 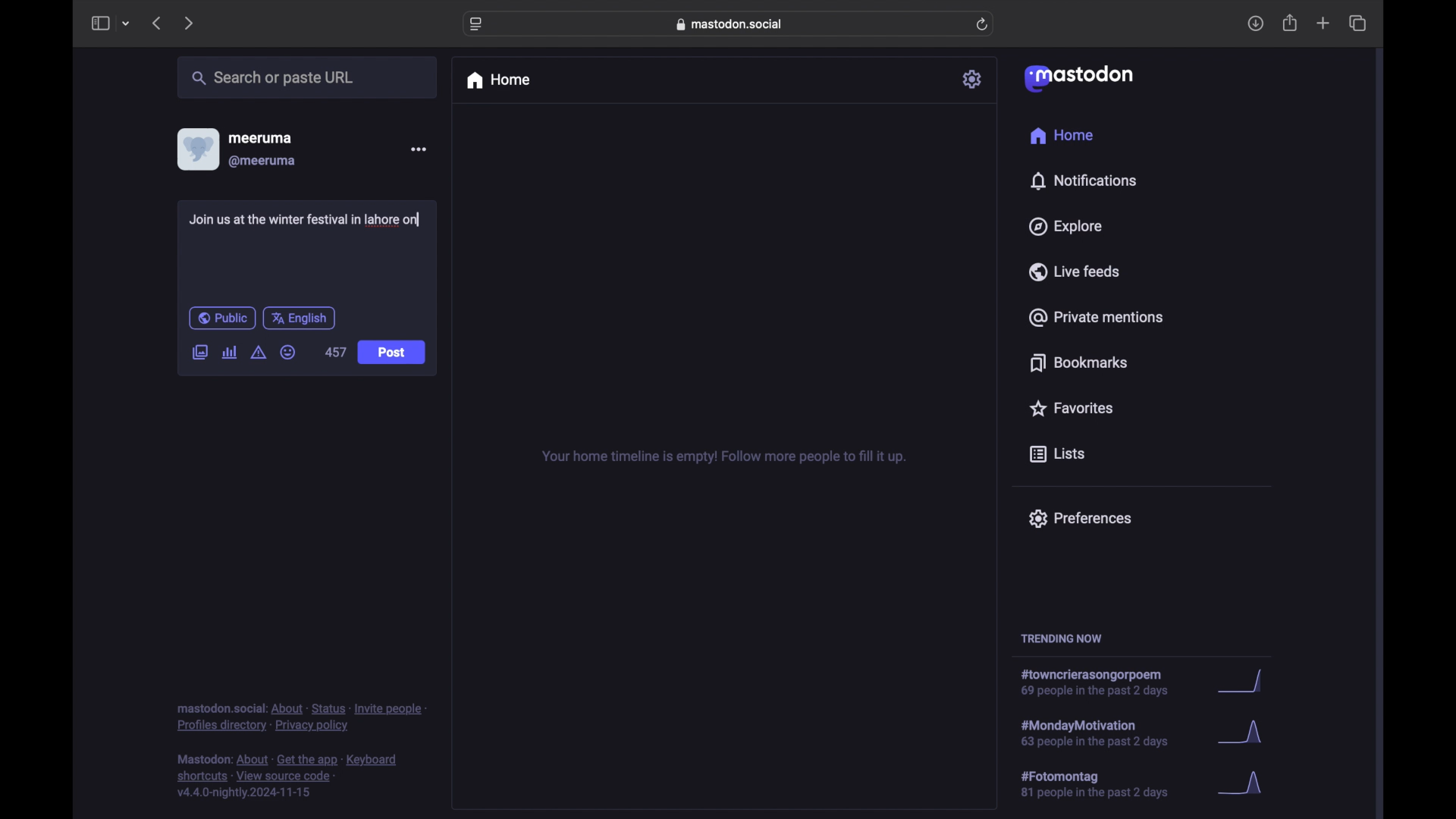 What do you see at coordinates (1057, 455) in the screenshot?
I see `lists` at bounding box center [1057, 455].